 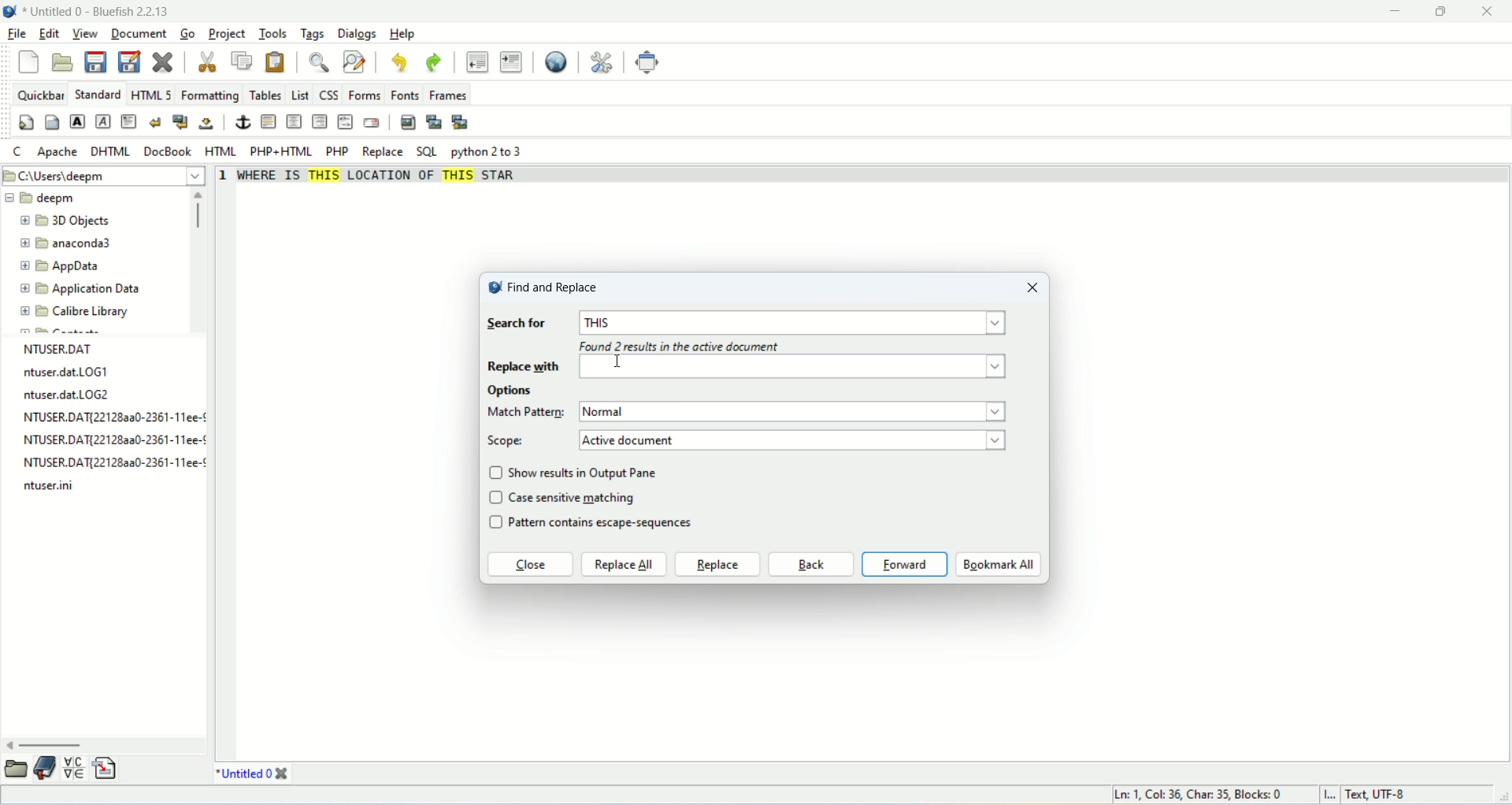 What do you see at coordinates (319, 121) in the screenshot?
I see `right justify` at bounding box center [319, 121].